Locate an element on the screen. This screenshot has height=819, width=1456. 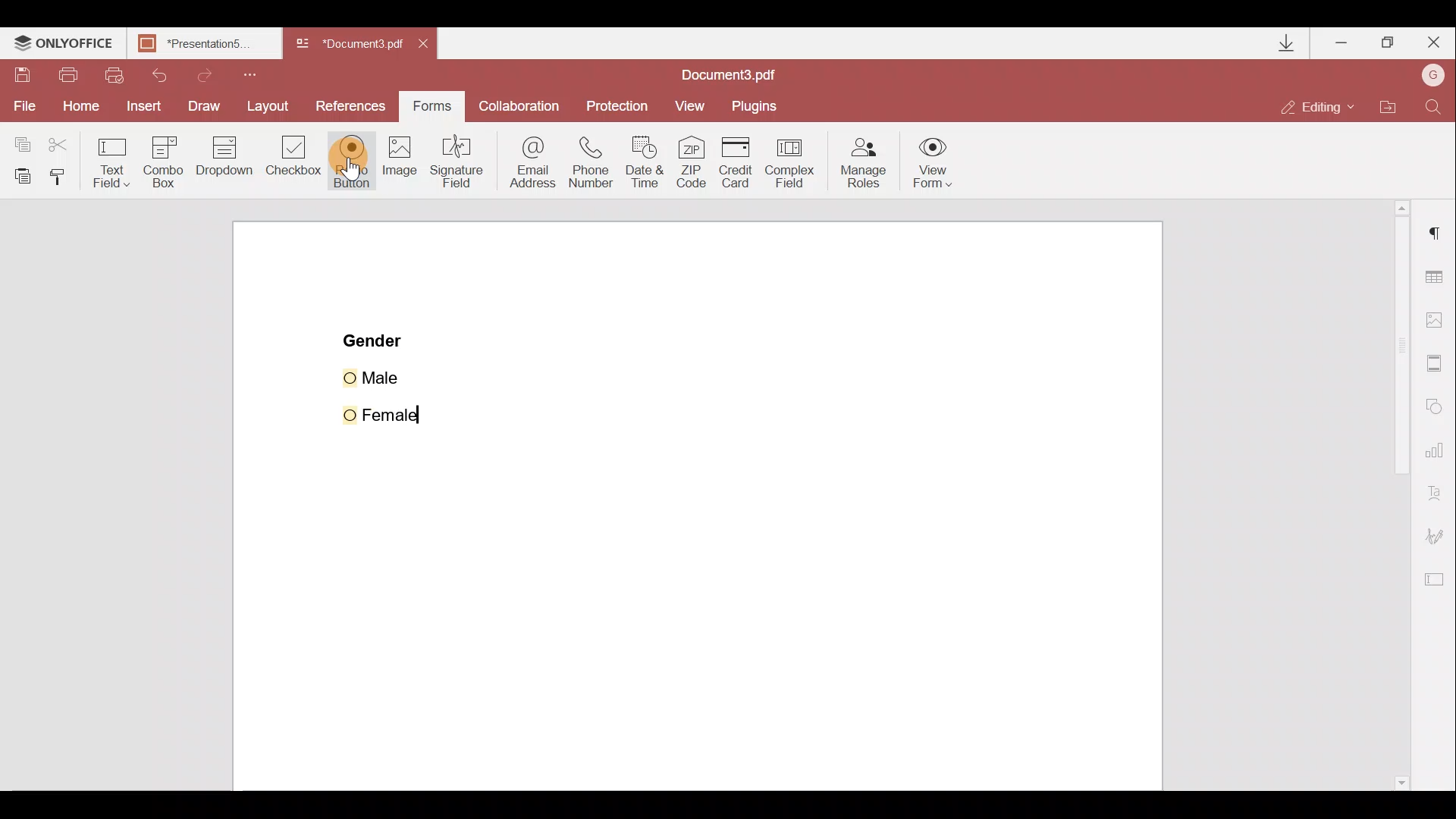
ONLYOFFICE is located at coordinates (63, 45).